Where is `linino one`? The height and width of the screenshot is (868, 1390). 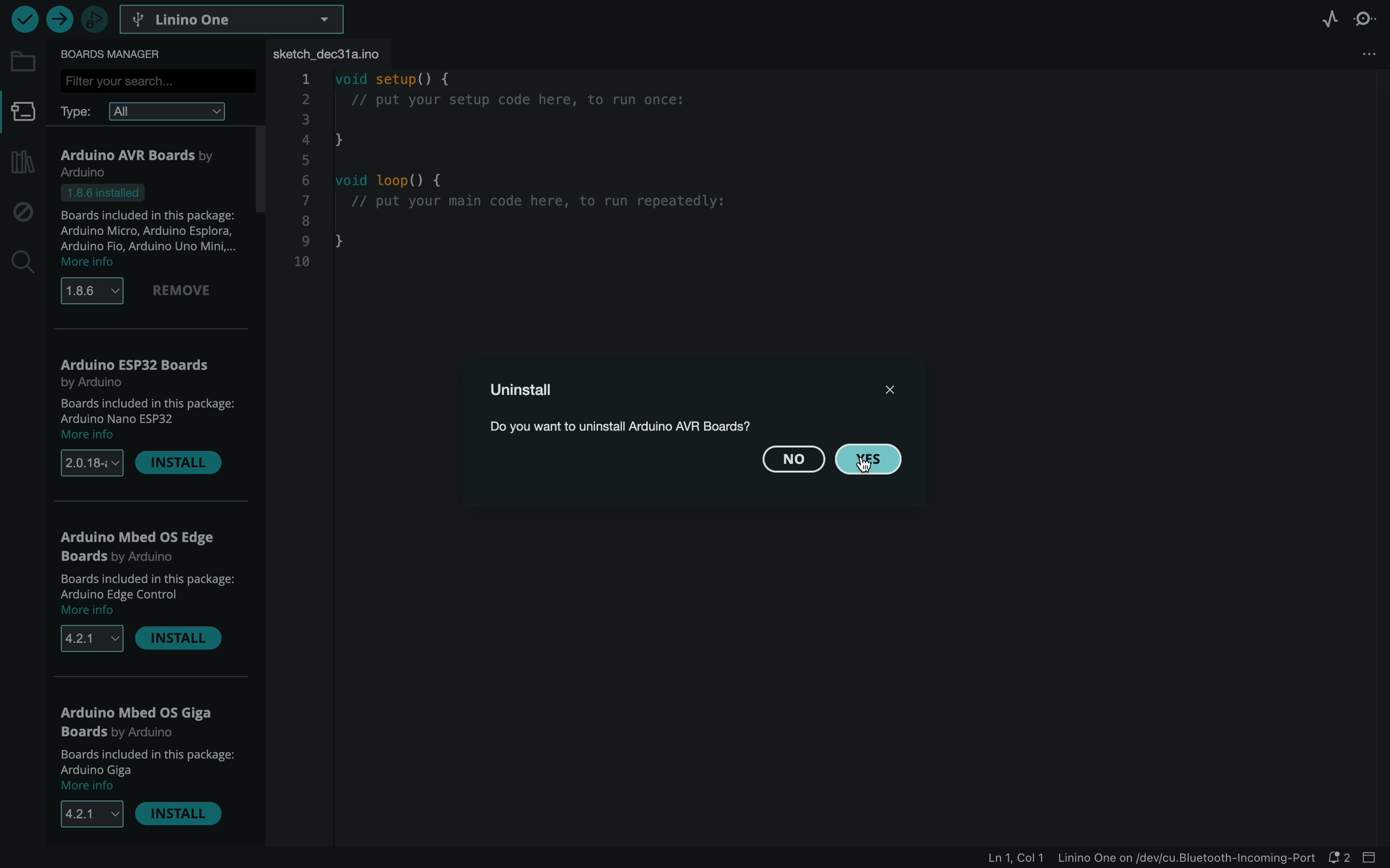
linino one is located at coordinates (239, 18).